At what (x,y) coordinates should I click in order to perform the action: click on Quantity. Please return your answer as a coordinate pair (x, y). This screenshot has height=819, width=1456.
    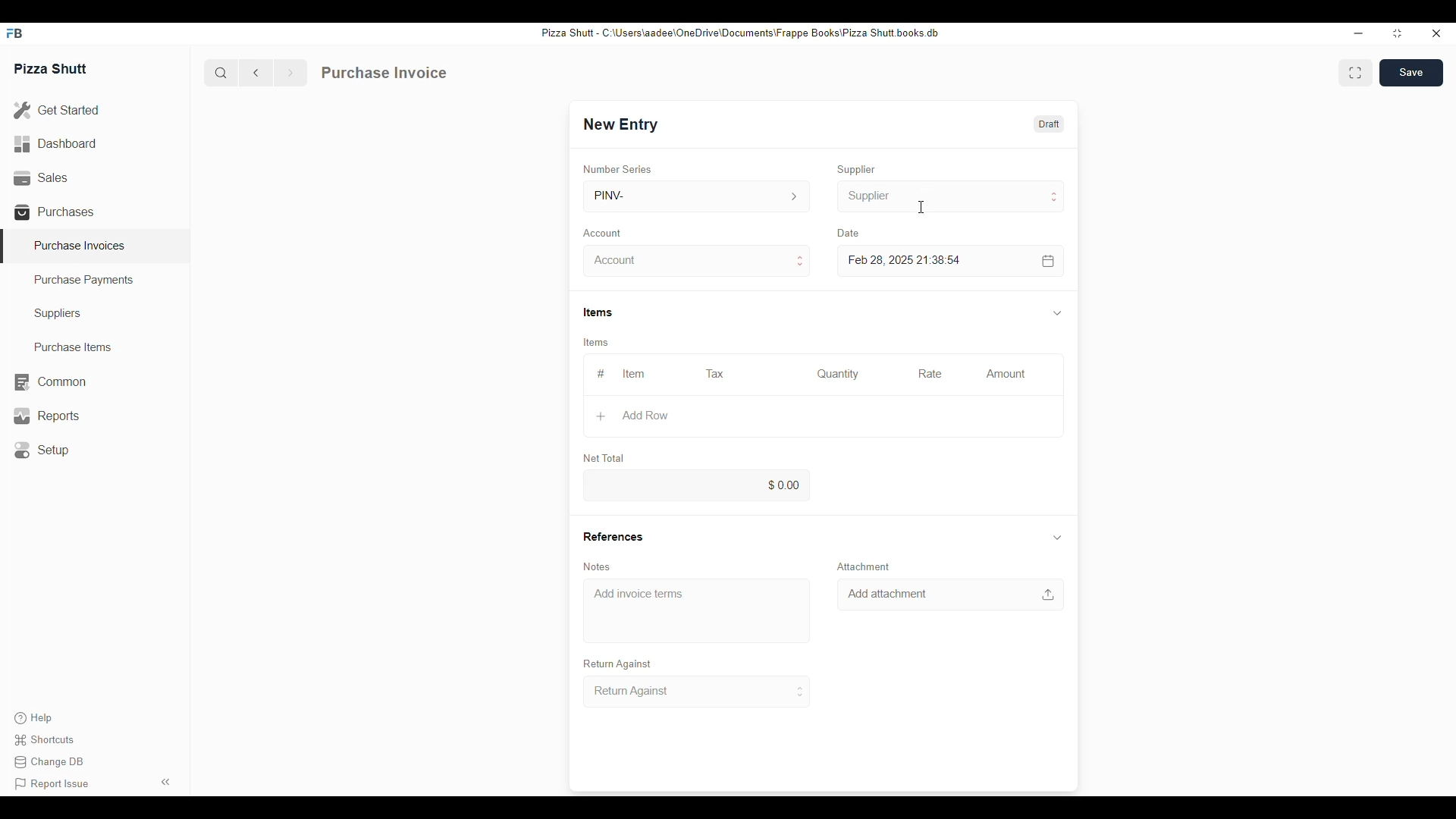
    Looking at the image, I should click on (838, 373).